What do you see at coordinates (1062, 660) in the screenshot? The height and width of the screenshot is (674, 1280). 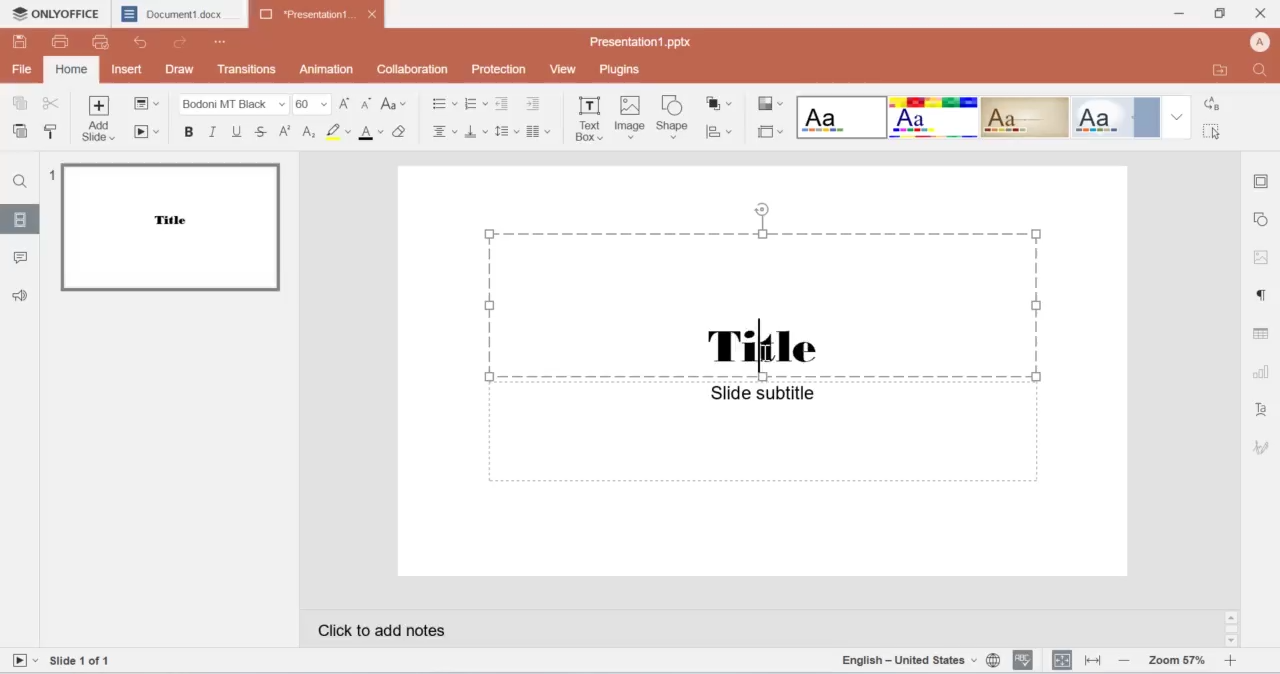 I see `alignment` at bounding box center [1062, 660].